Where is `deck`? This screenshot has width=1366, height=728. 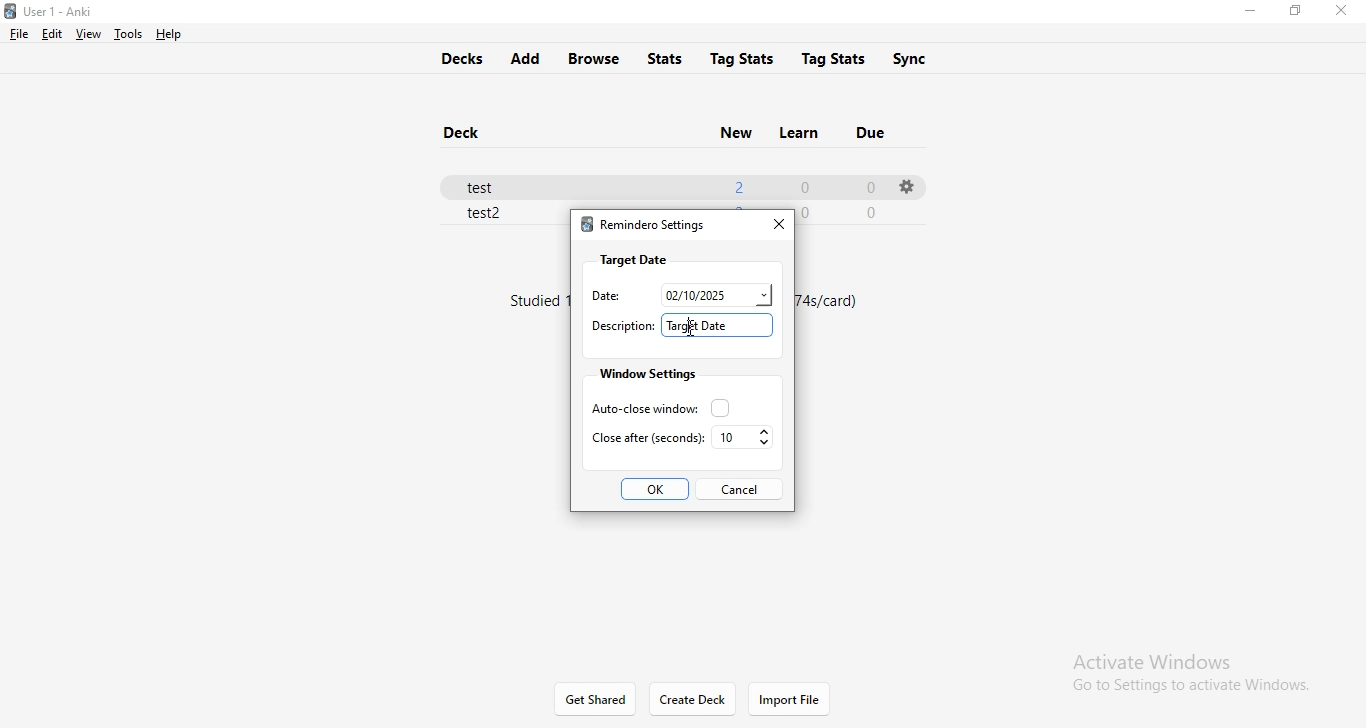 deck is located at coordinates (467, 134).